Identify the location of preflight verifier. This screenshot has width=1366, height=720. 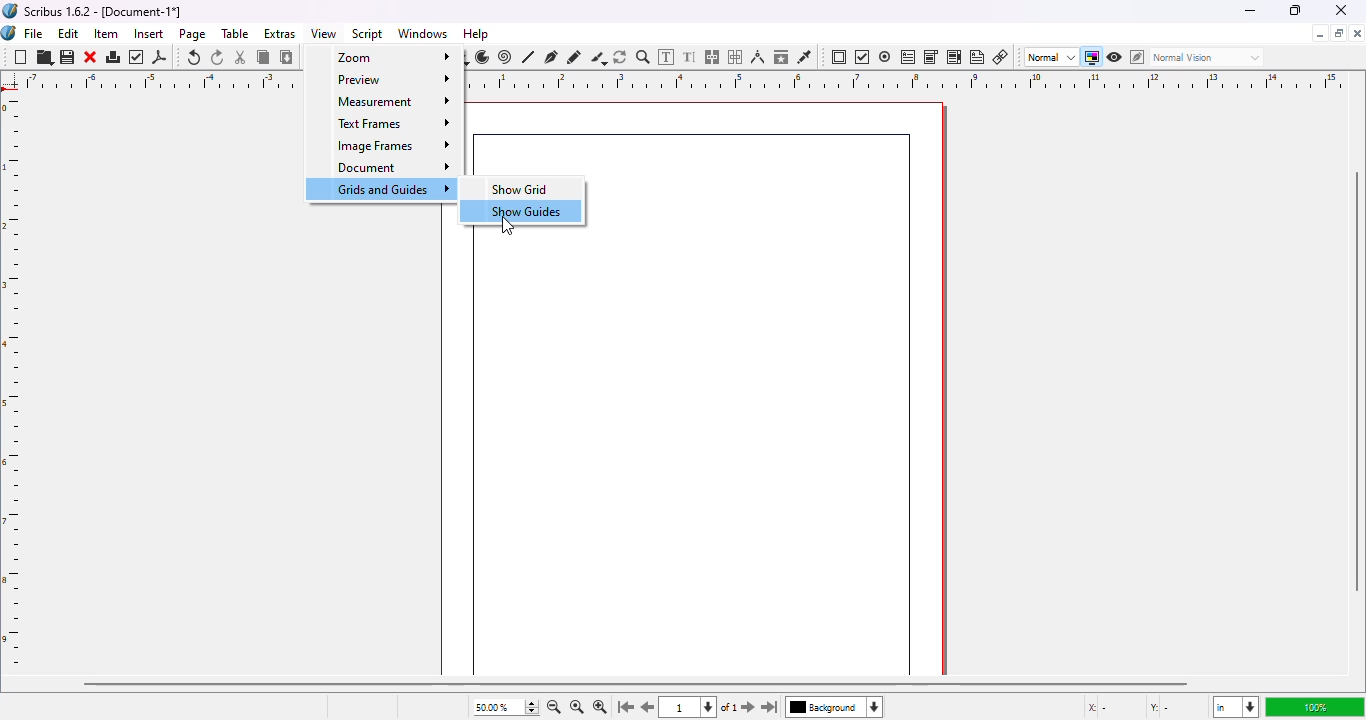
(138, 57).